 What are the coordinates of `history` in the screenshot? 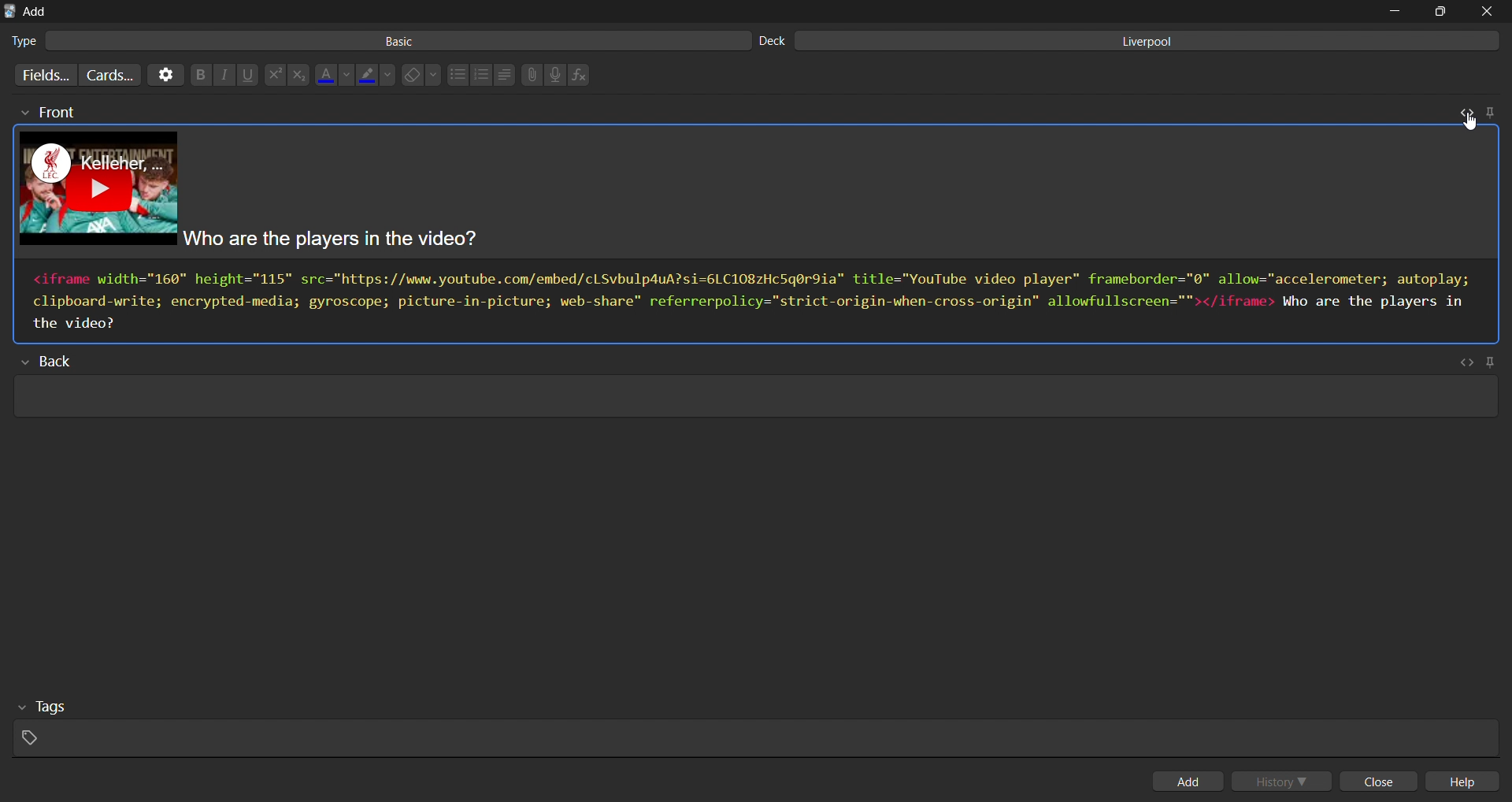 It's located at (1285, 780).